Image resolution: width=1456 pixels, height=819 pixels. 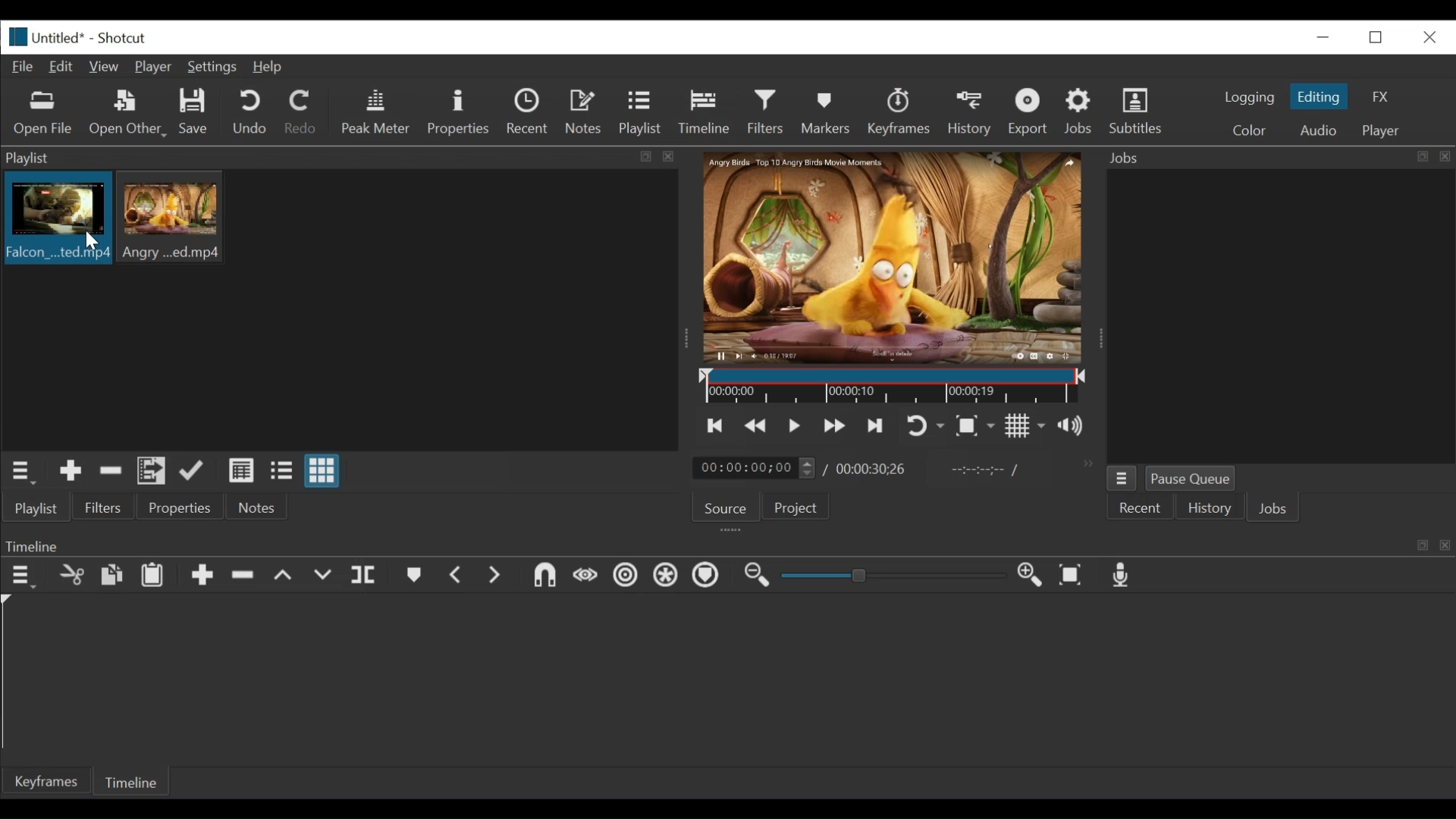 What do you see at coordinates (61, 39) in the screenshot?
I see `File name` at bounding box center [61, 39].